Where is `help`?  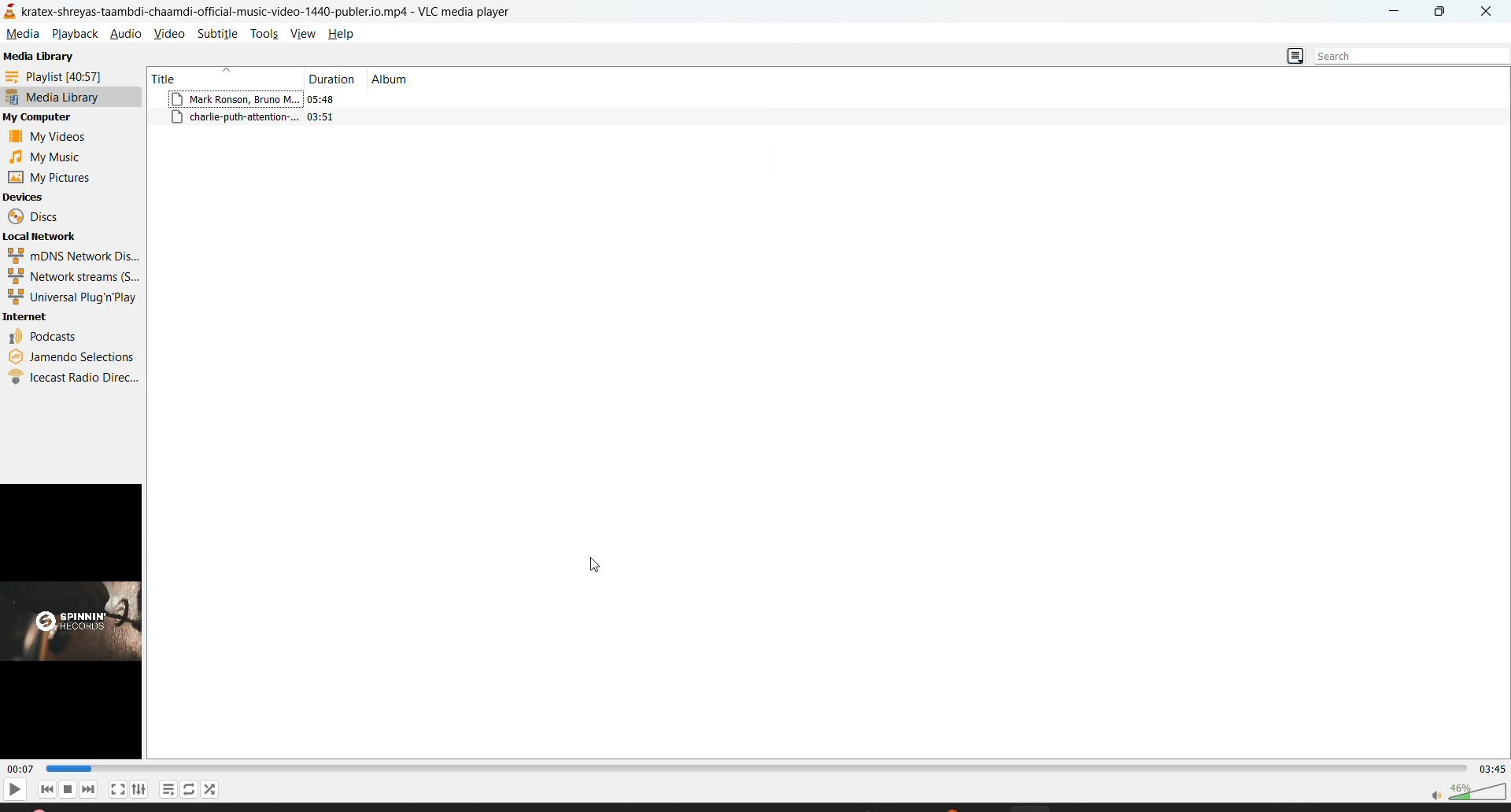
help is located at coordinates (340, 34).